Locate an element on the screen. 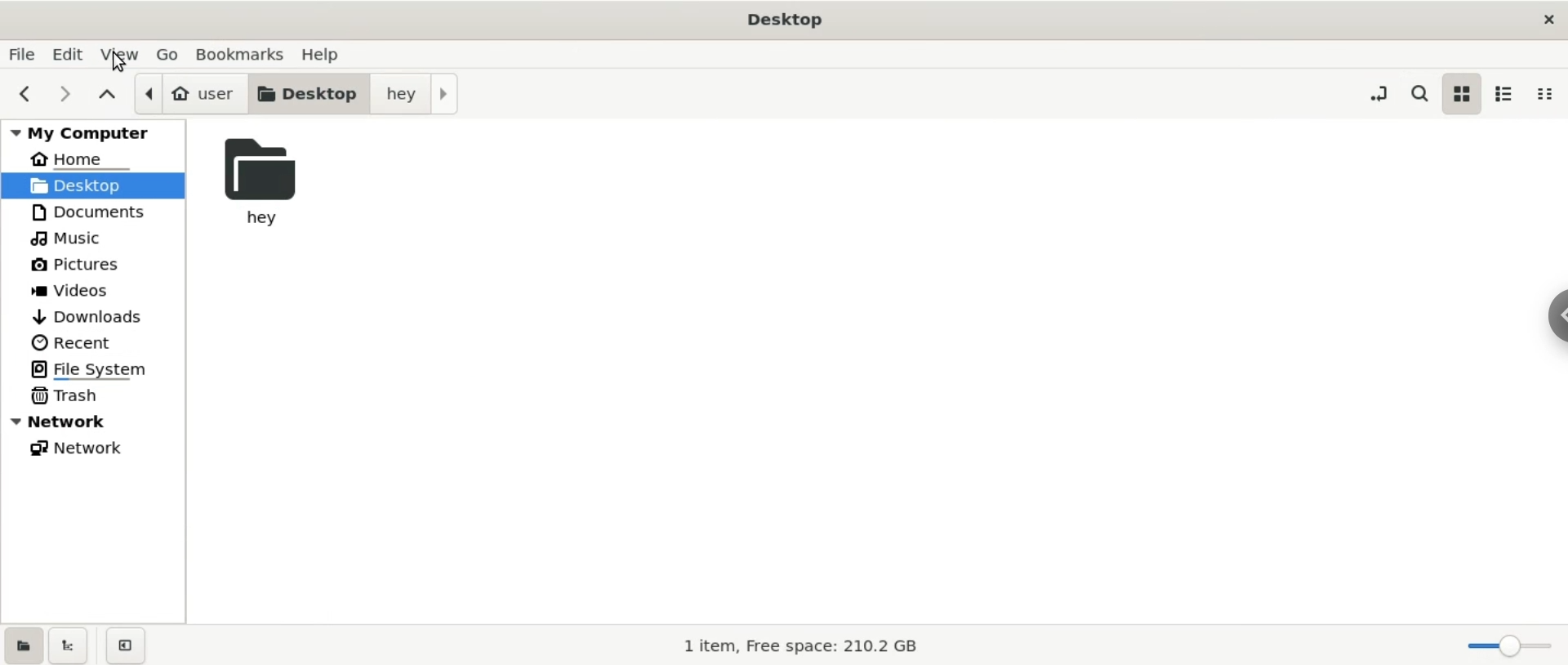 This screenshot has height=665, width=1568. parent folders is located at coordinates (108, 92).